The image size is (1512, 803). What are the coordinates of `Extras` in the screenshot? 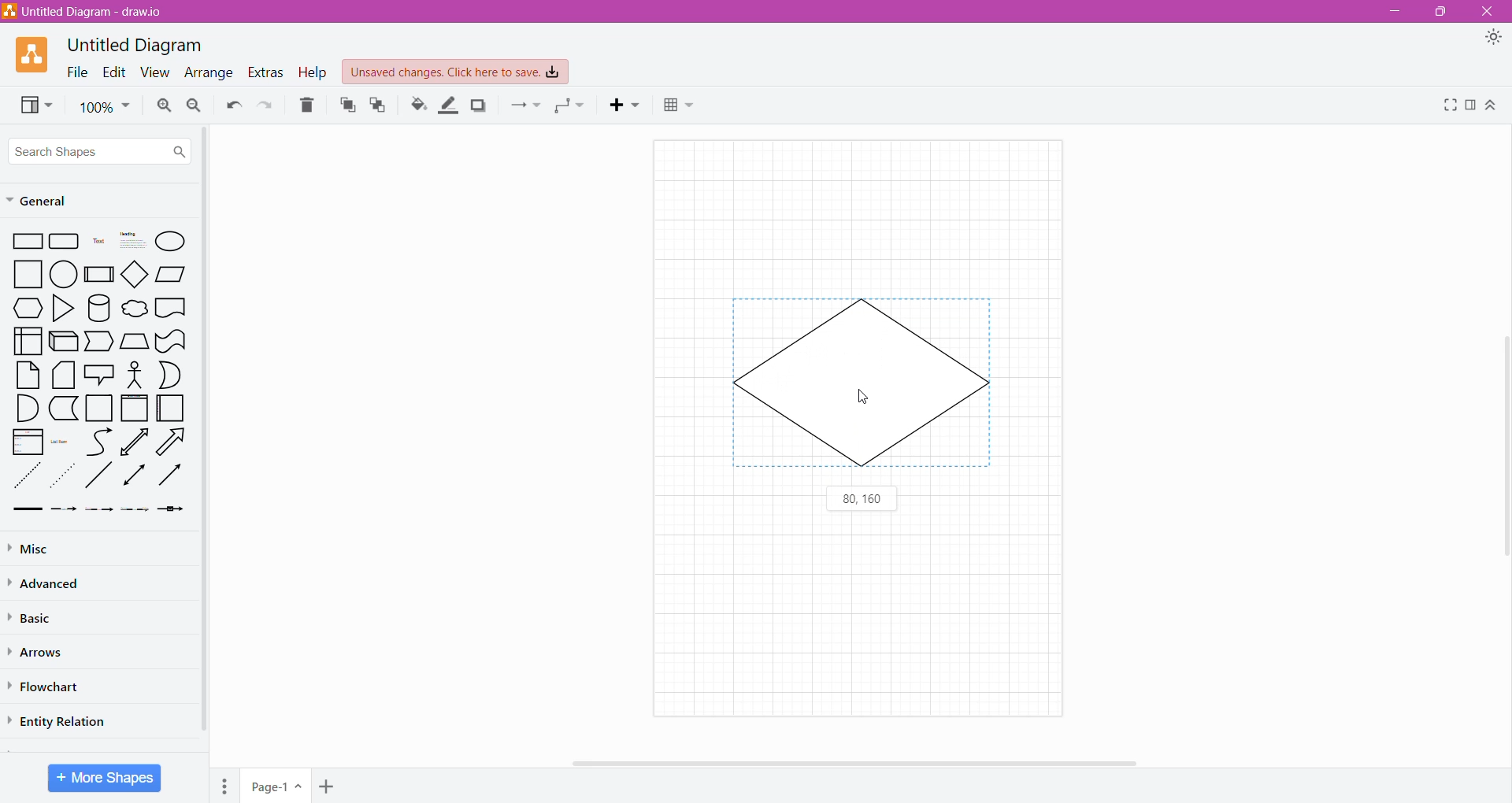 It's located at (265, 72).